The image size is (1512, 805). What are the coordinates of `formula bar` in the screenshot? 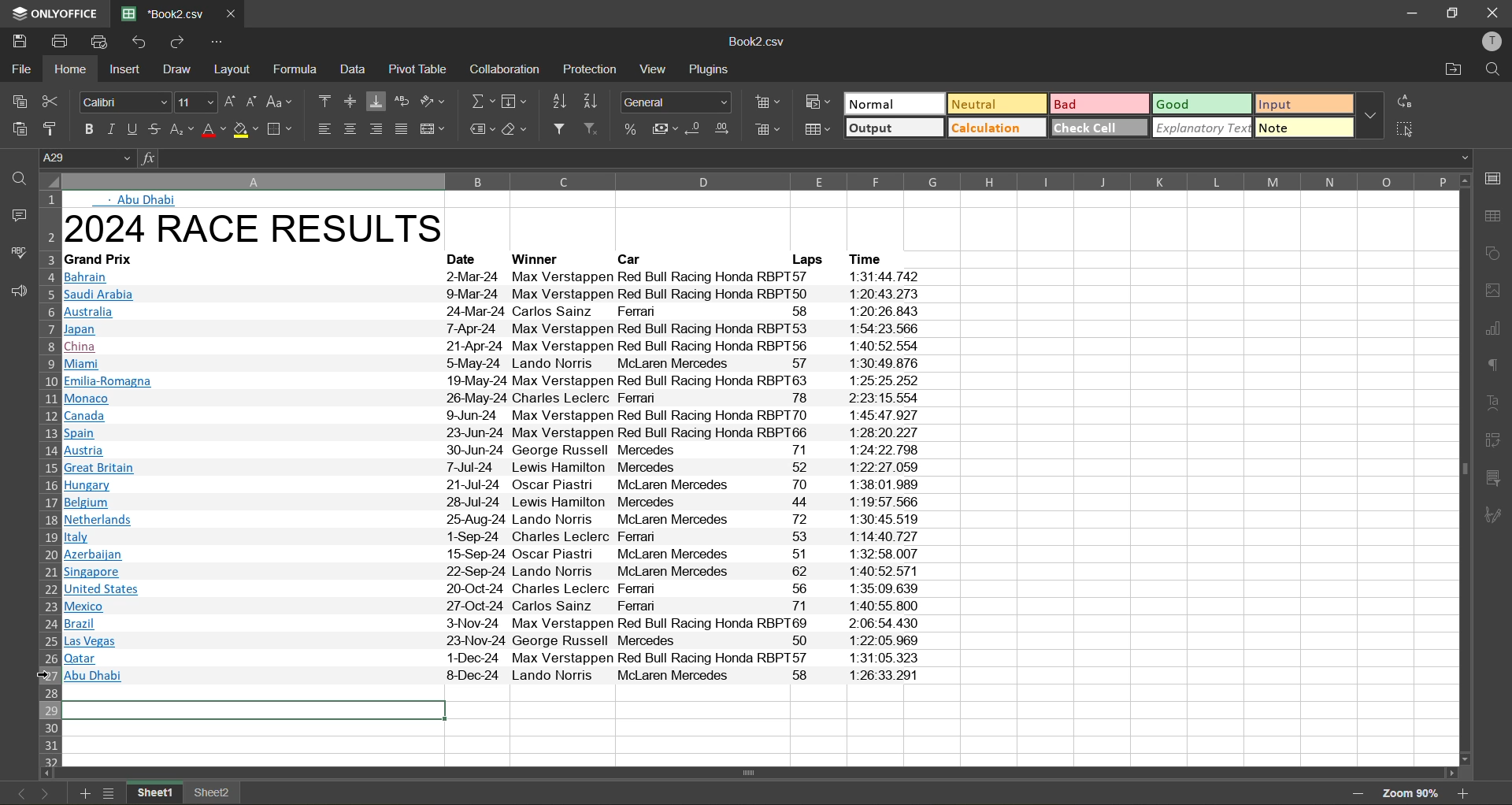 It's located at (807, 158).